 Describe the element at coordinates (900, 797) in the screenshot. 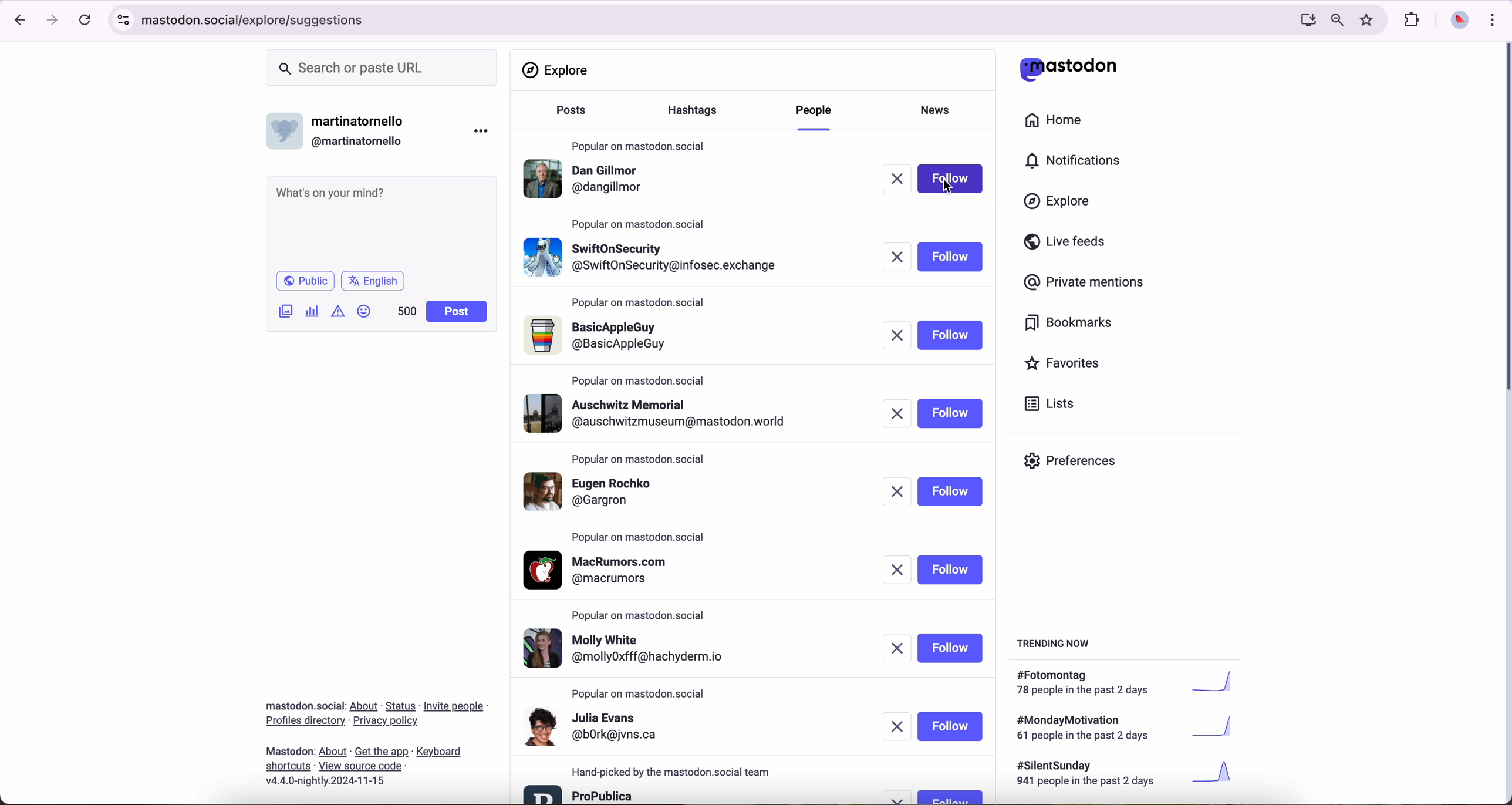

I see `remove` at that location.